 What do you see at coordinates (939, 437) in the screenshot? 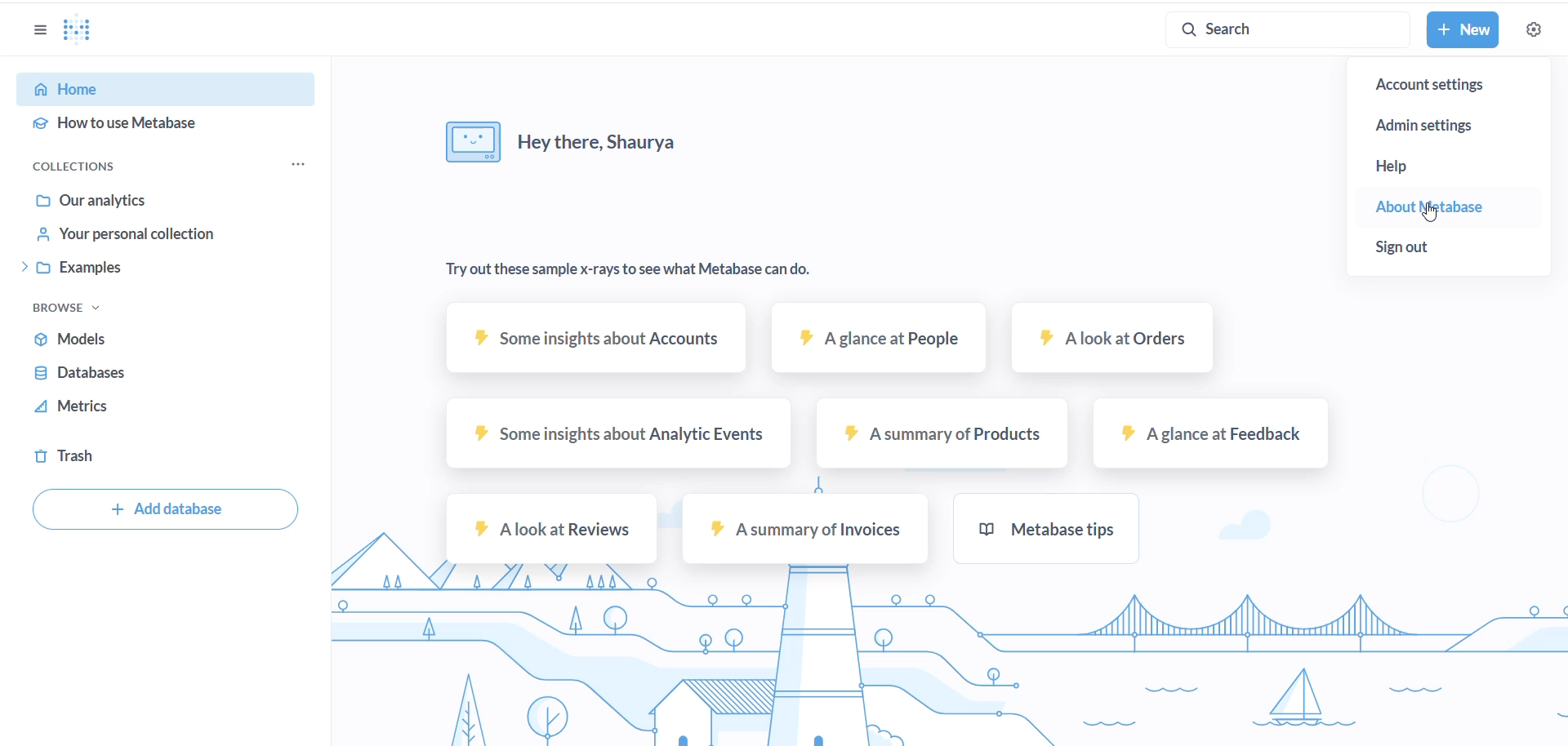
I see `A summary of products` at bounding box center [939, 437].